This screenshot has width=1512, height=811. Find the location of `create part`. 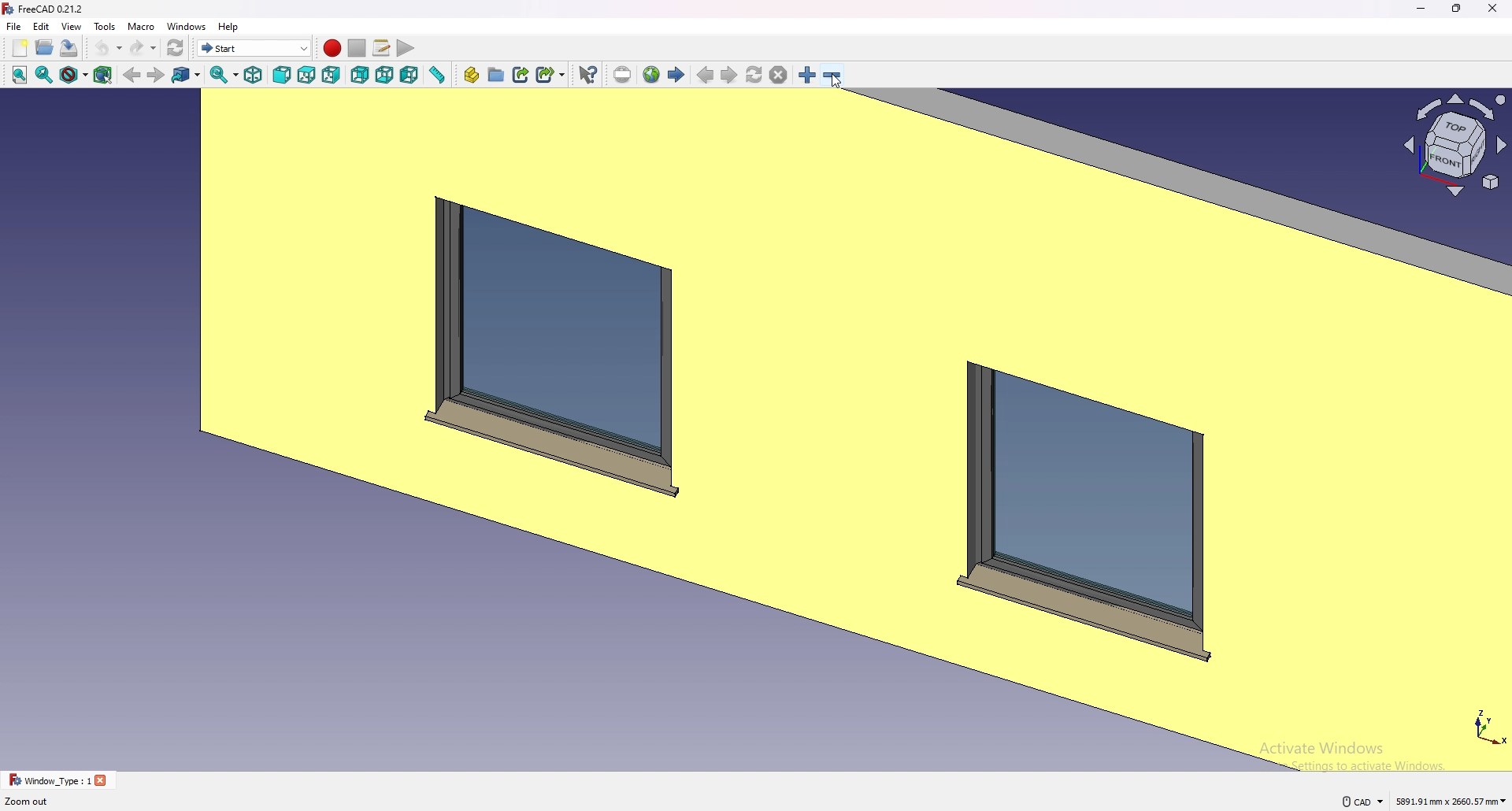

create part is located at coordinates (471, 75).